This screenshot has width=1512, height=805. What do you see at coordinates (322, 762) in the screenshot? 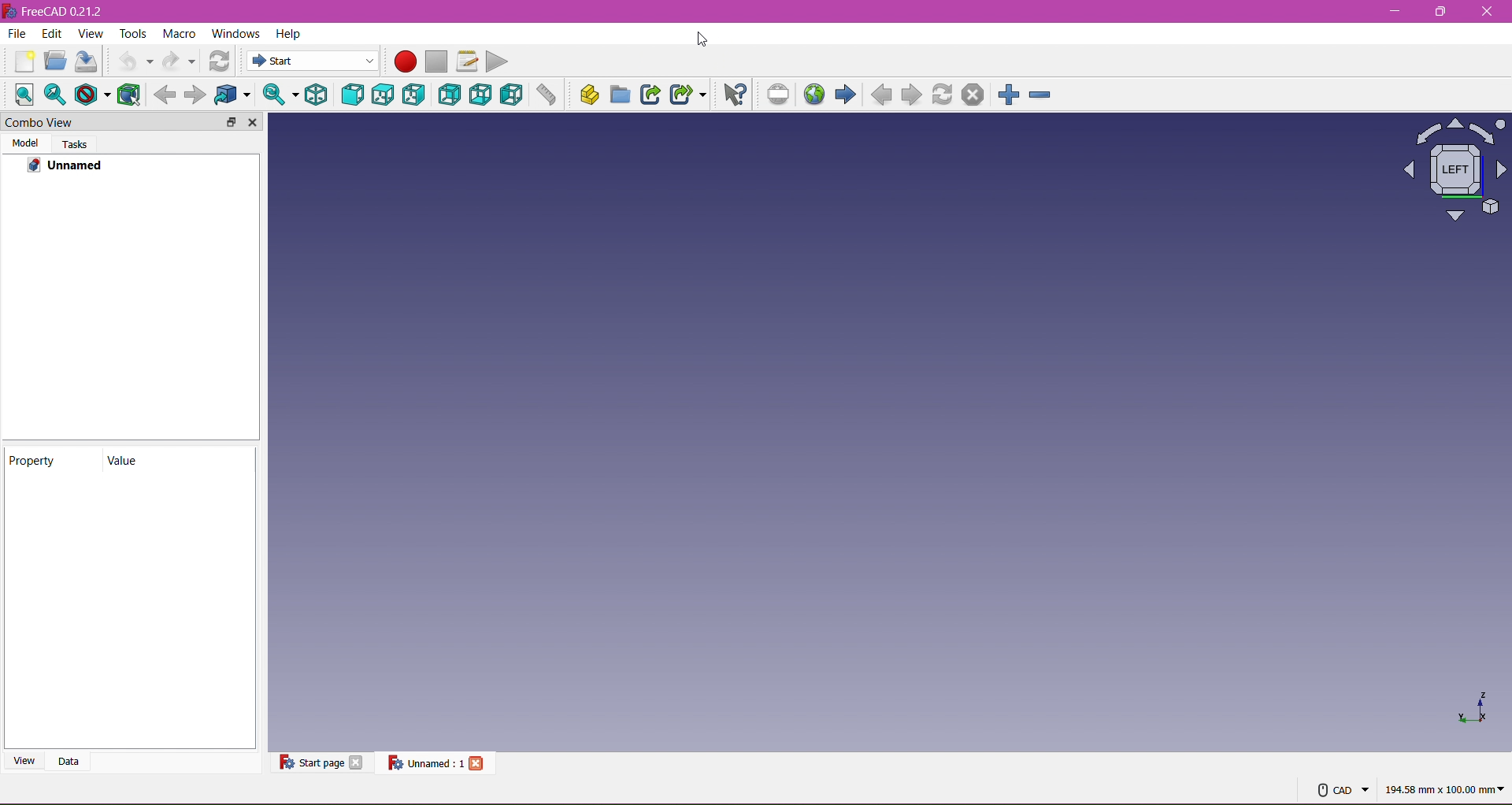
I see `Start page` at bounding box center [322, 762].